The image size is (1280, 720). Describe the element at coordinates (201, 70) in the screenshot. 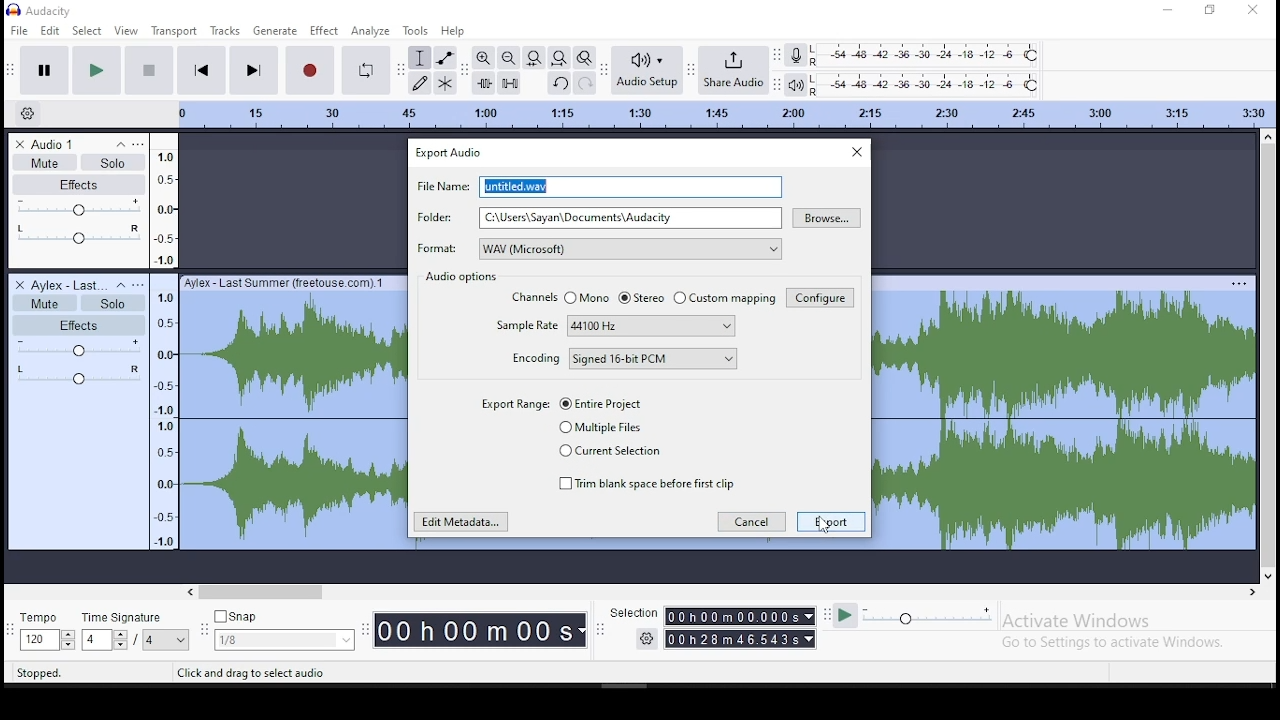

I see `skip to start` at that location.